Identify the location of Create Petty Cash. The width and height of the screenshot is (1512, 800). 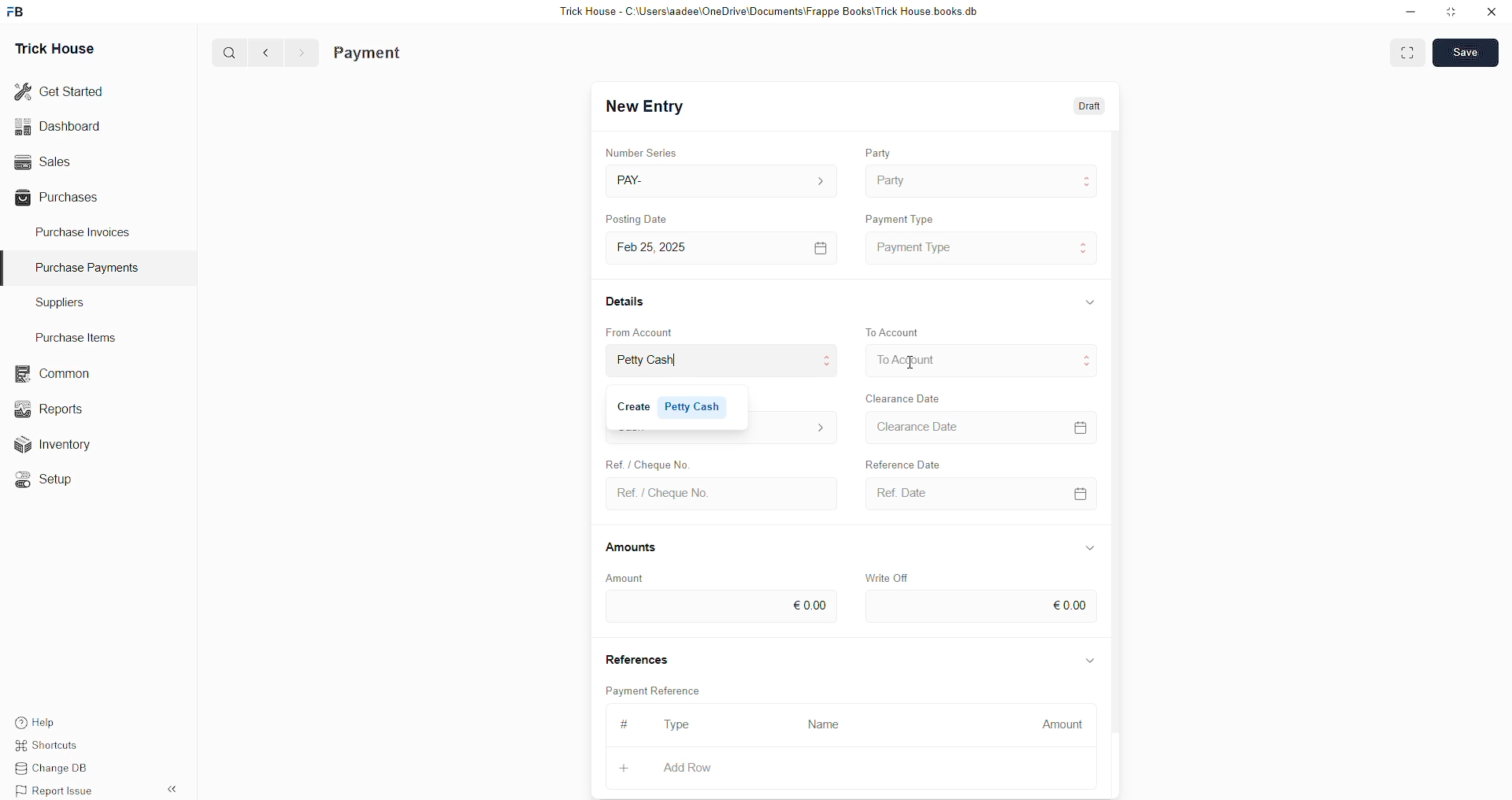
(675, 406).